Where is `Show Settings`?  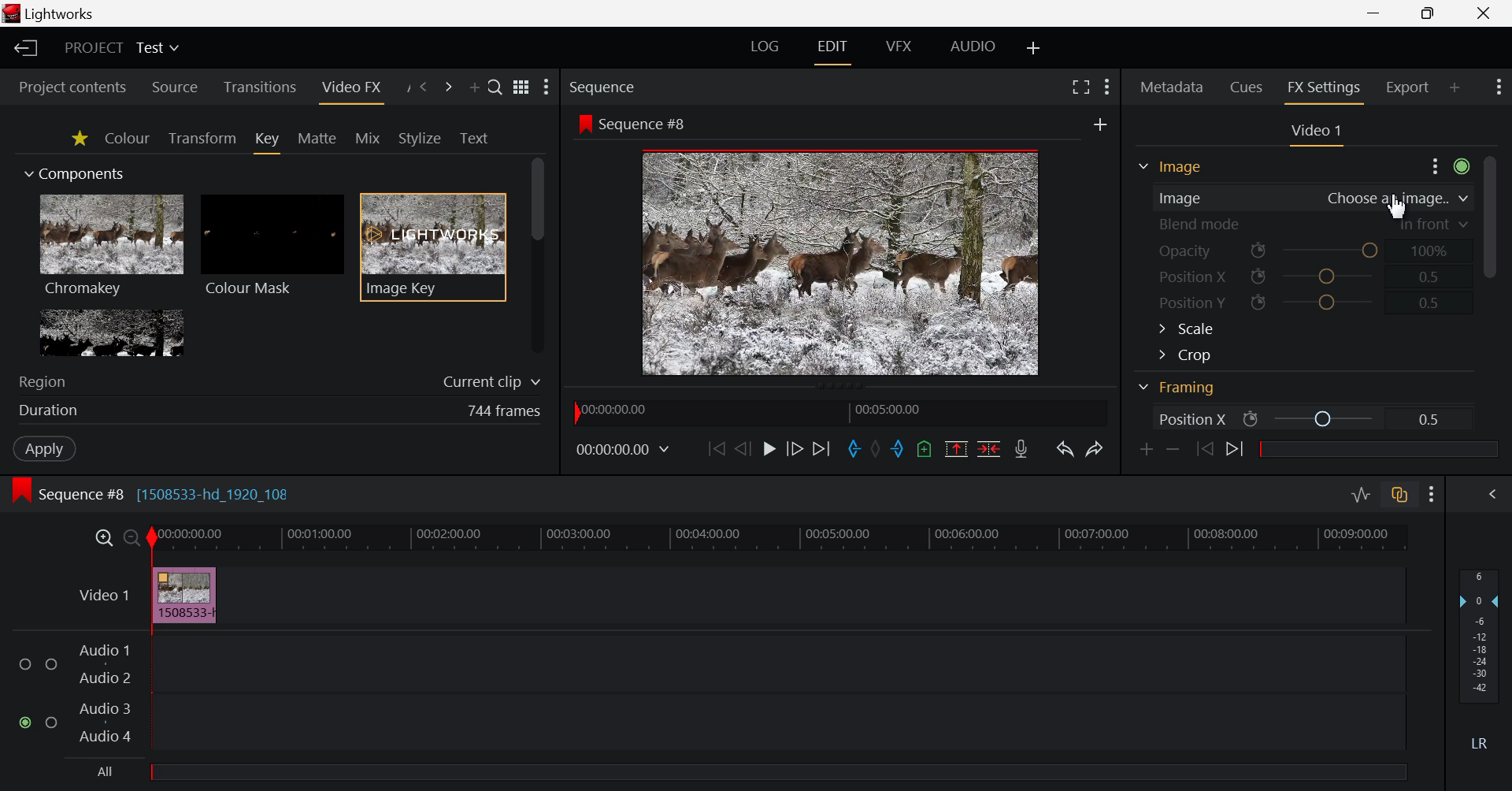 Show Settings is located at coordinates (550, 91).